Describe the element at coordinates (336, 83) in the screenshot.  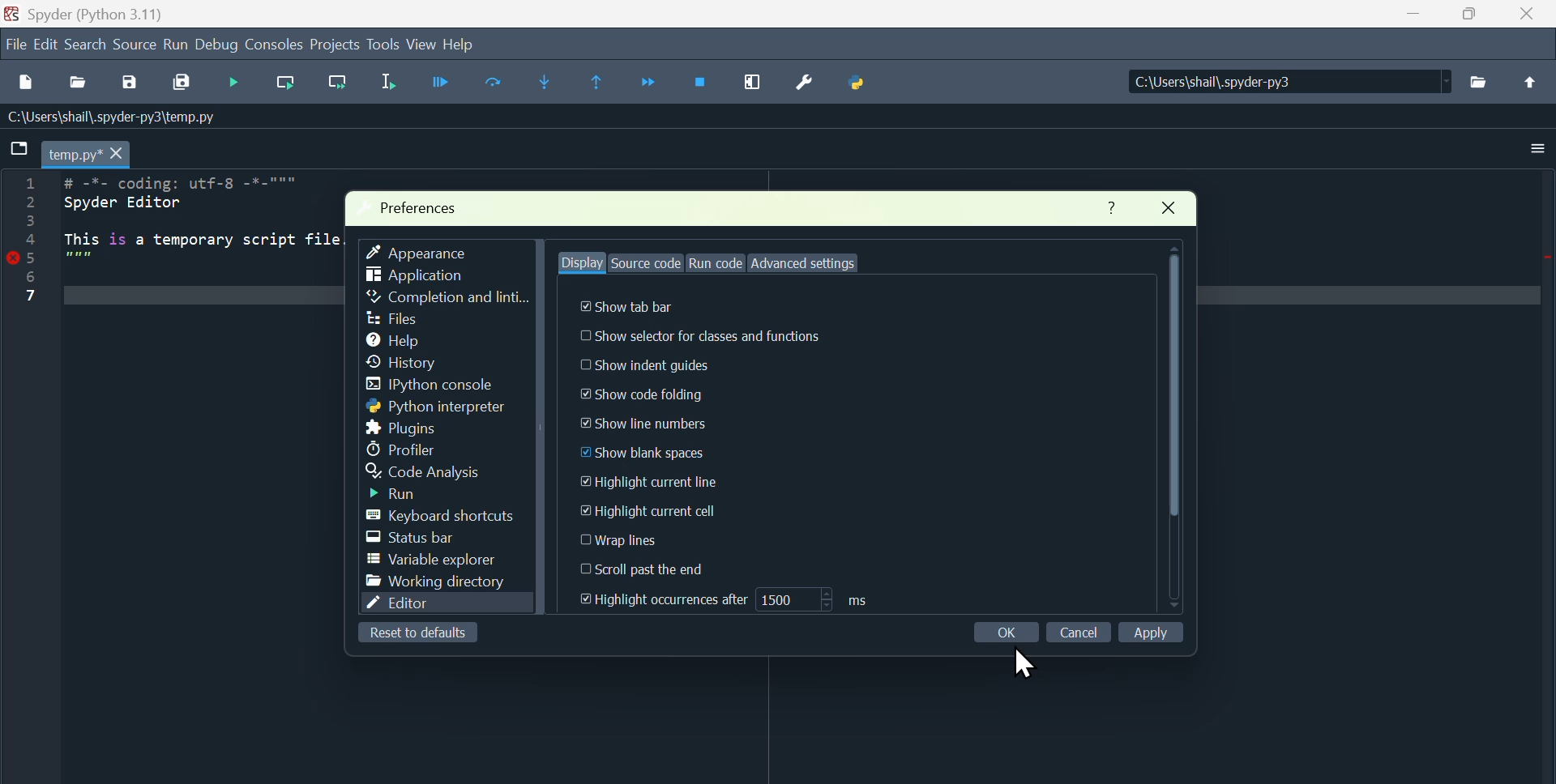
I see `Run current line and go to the next one` at that location.